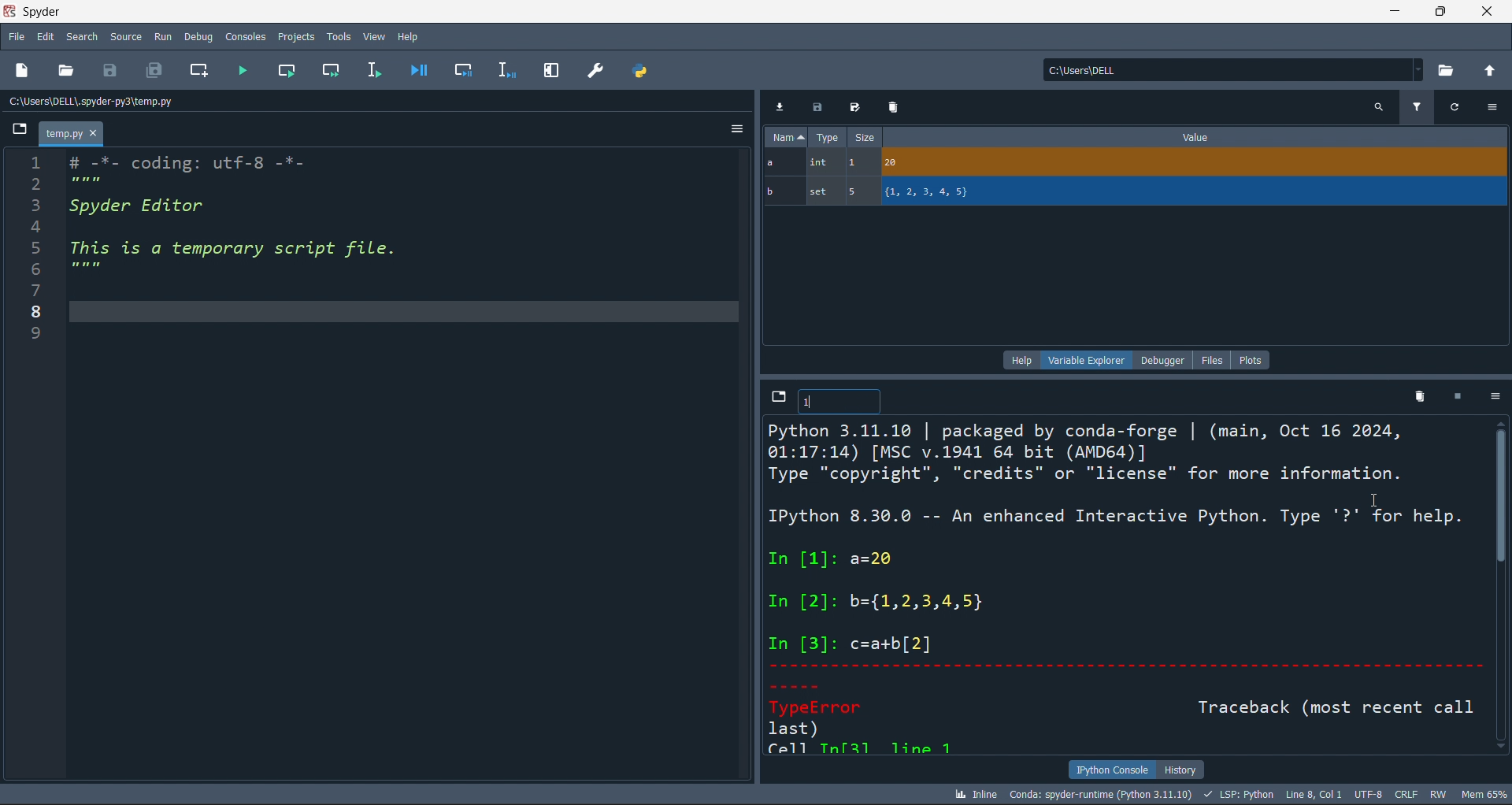 The height and width of the screenshot is (805, 1512). Describe the element at coordinates (1086, 359) in the screenshot. I see `variable explorer (selected))` at that location.